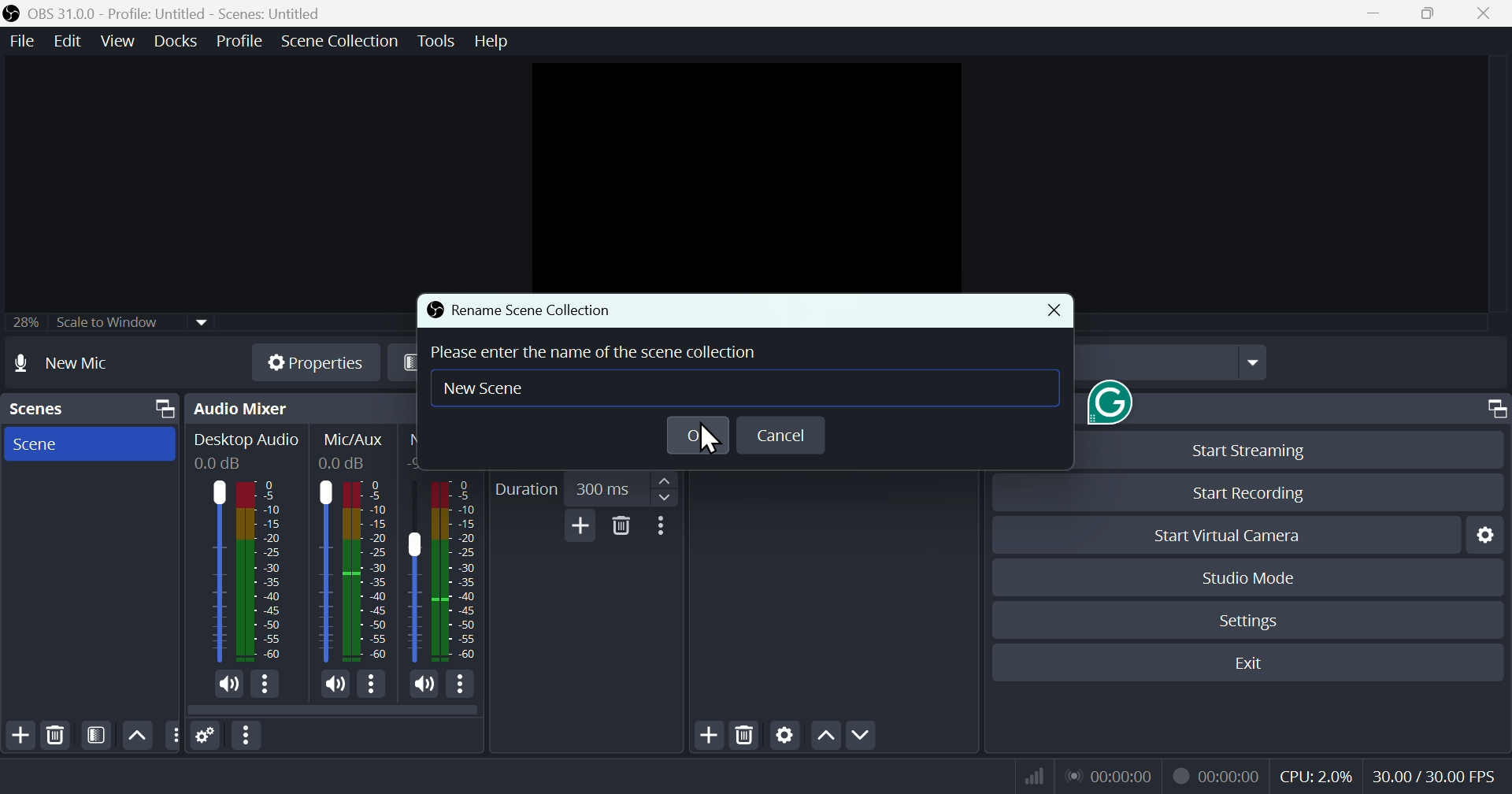 This screenshot has width=1512, height=794. Describe the element at coordinates (309, 362) in the screenshot. I see `Properties` at that location.